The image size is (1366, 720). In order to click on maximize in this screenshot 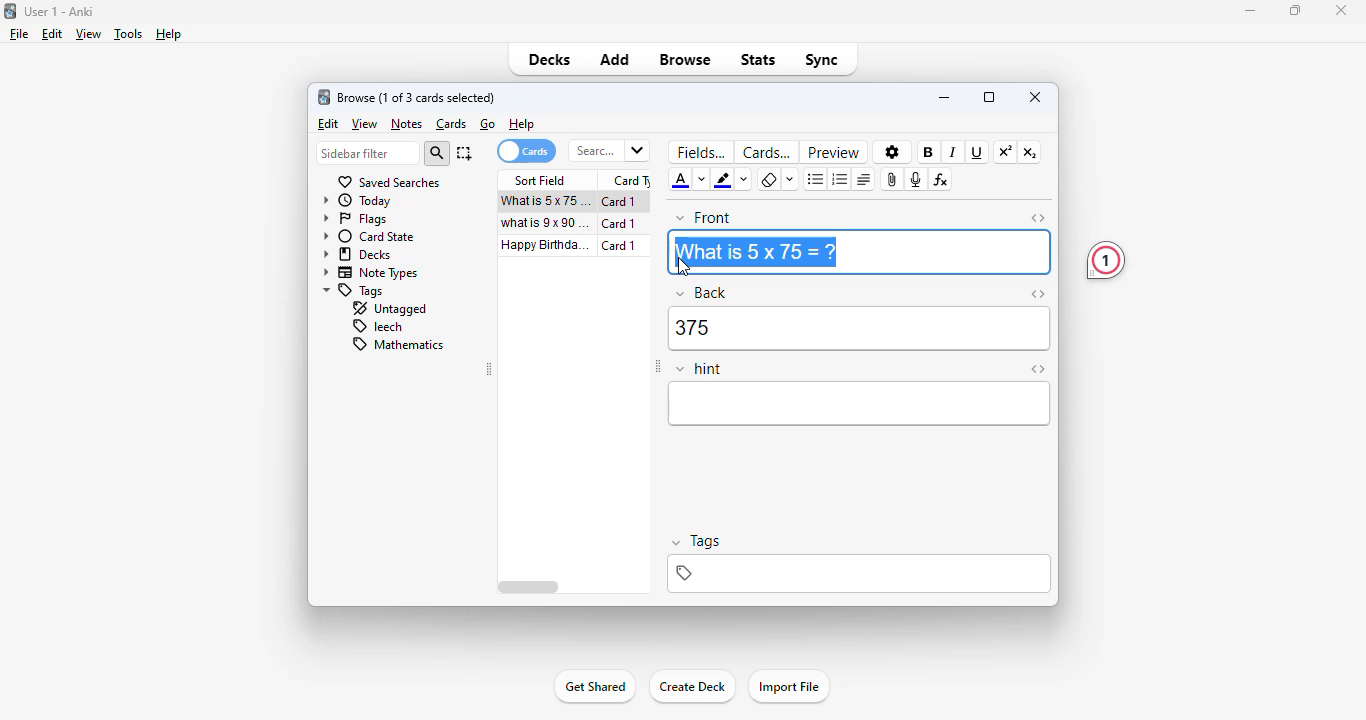, I will do `click(1296, 10)`.